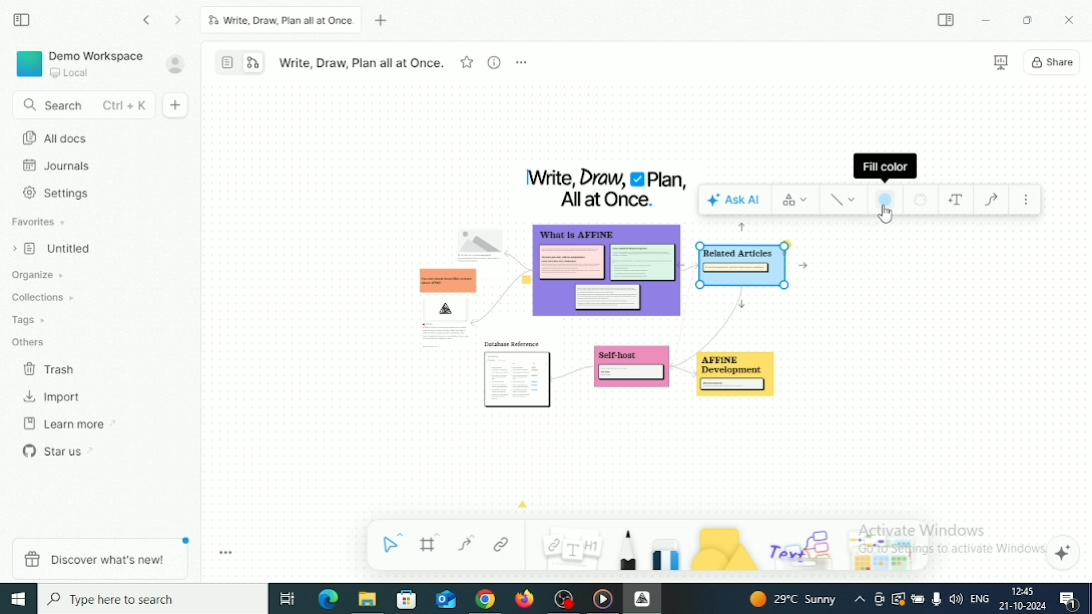  What do you see at coordinates (606, 188) in the screenshot?
I see `Title` at bounding box center [606, 188].